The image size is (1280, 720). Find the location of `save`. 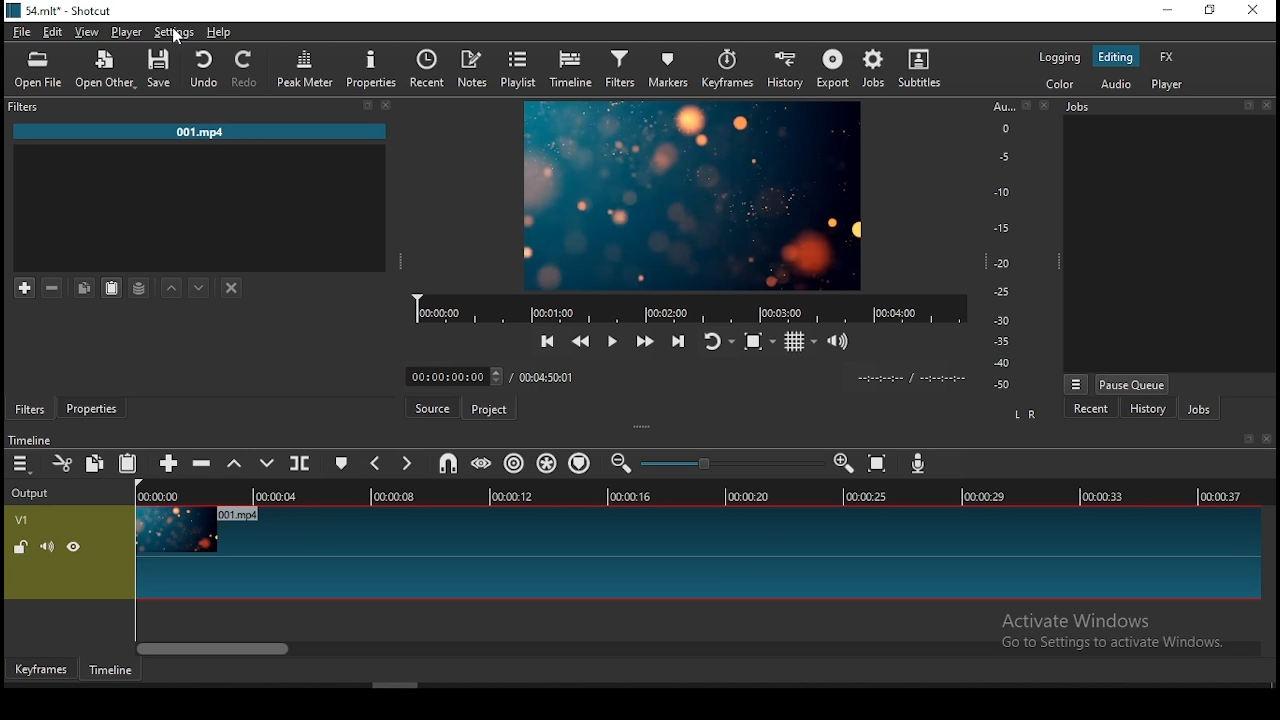

save is located at coordinates (164, 70).